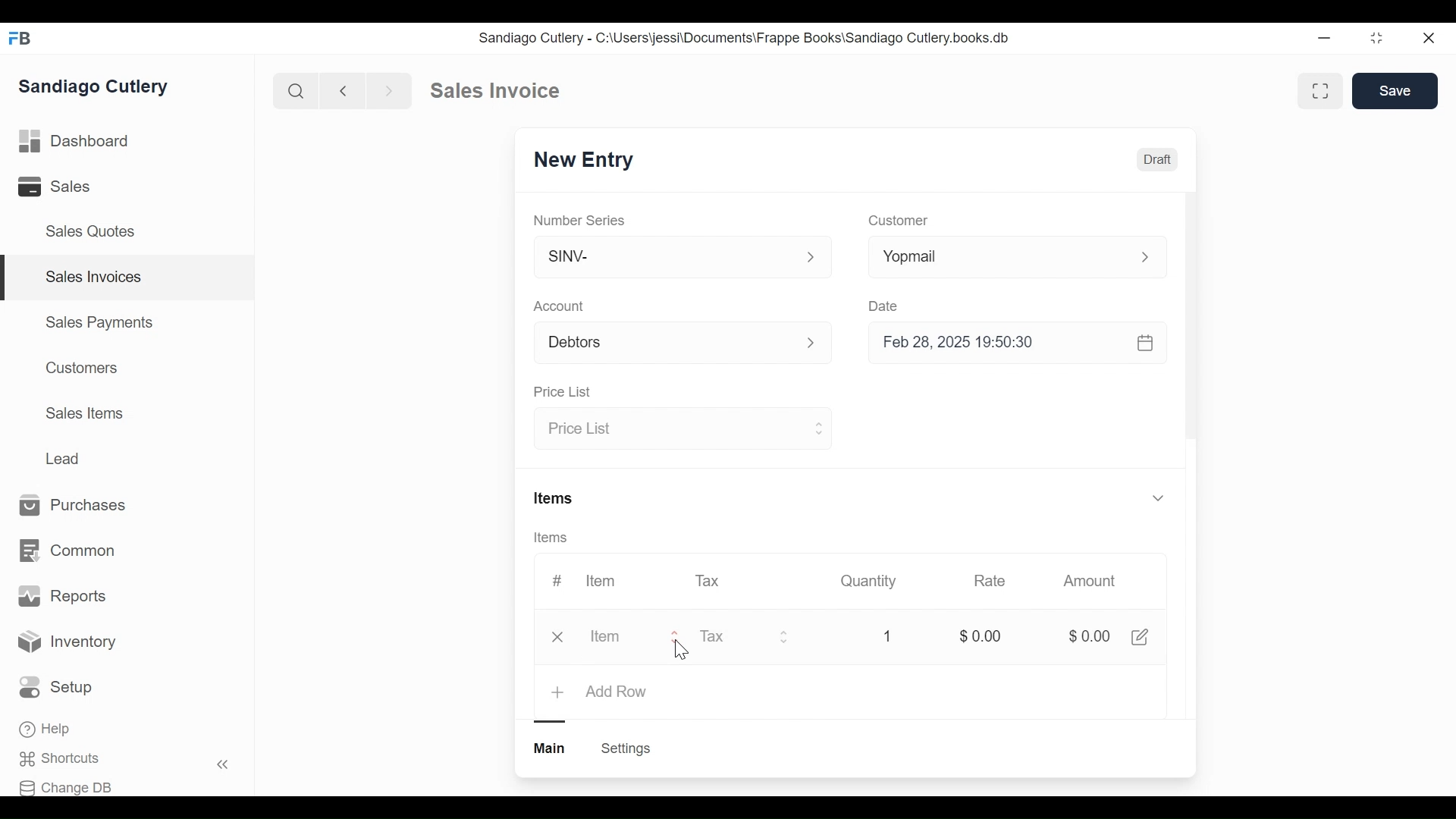 The image size is (1456, 819). What do you see at coordinates (1191, 321) in the screenshot?
I see `scrollbar` at bounding box center [1191, 321].